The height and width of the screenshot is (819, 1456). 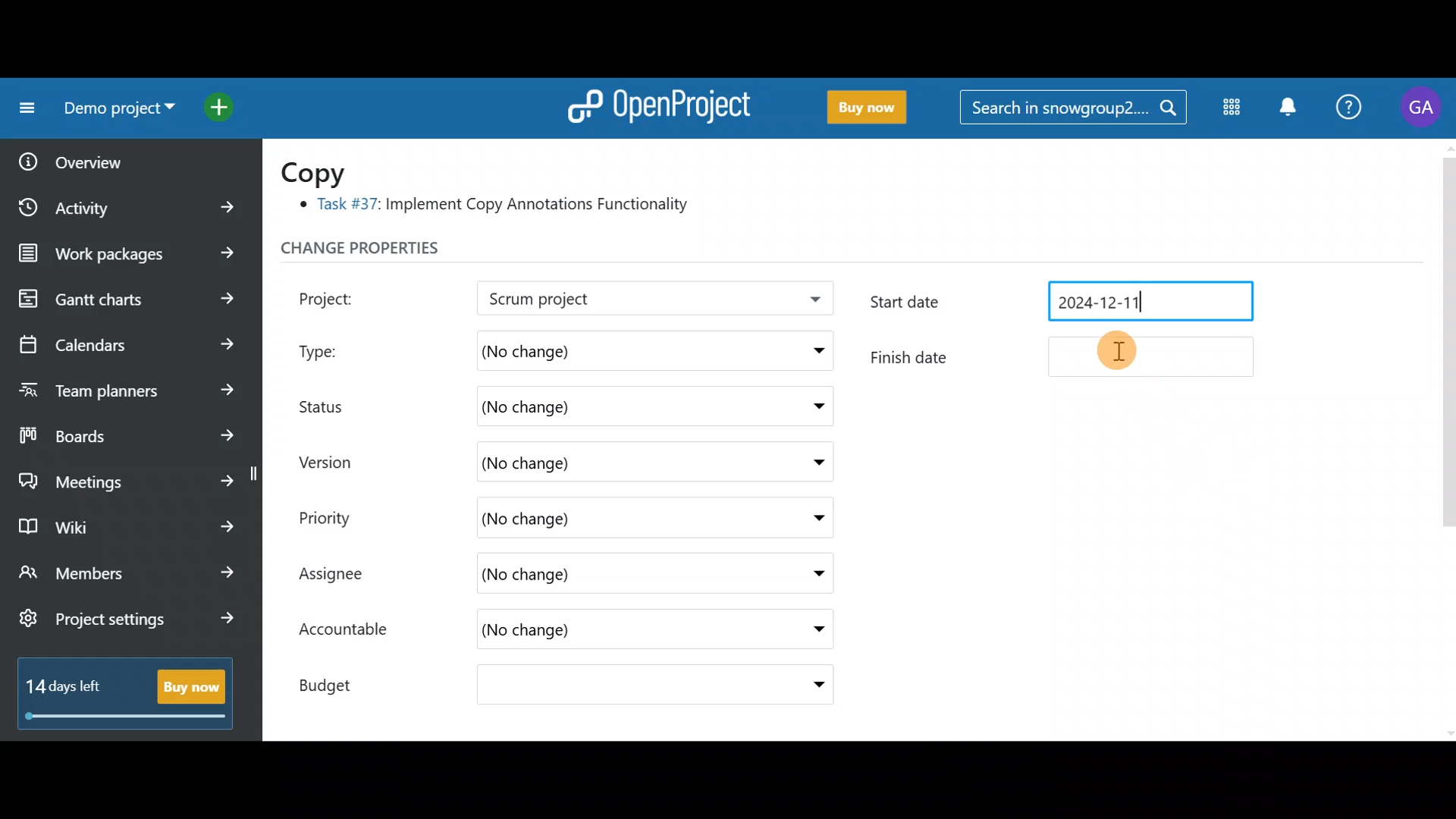 I want to click on Finish date, so click(x=1063, y=356).